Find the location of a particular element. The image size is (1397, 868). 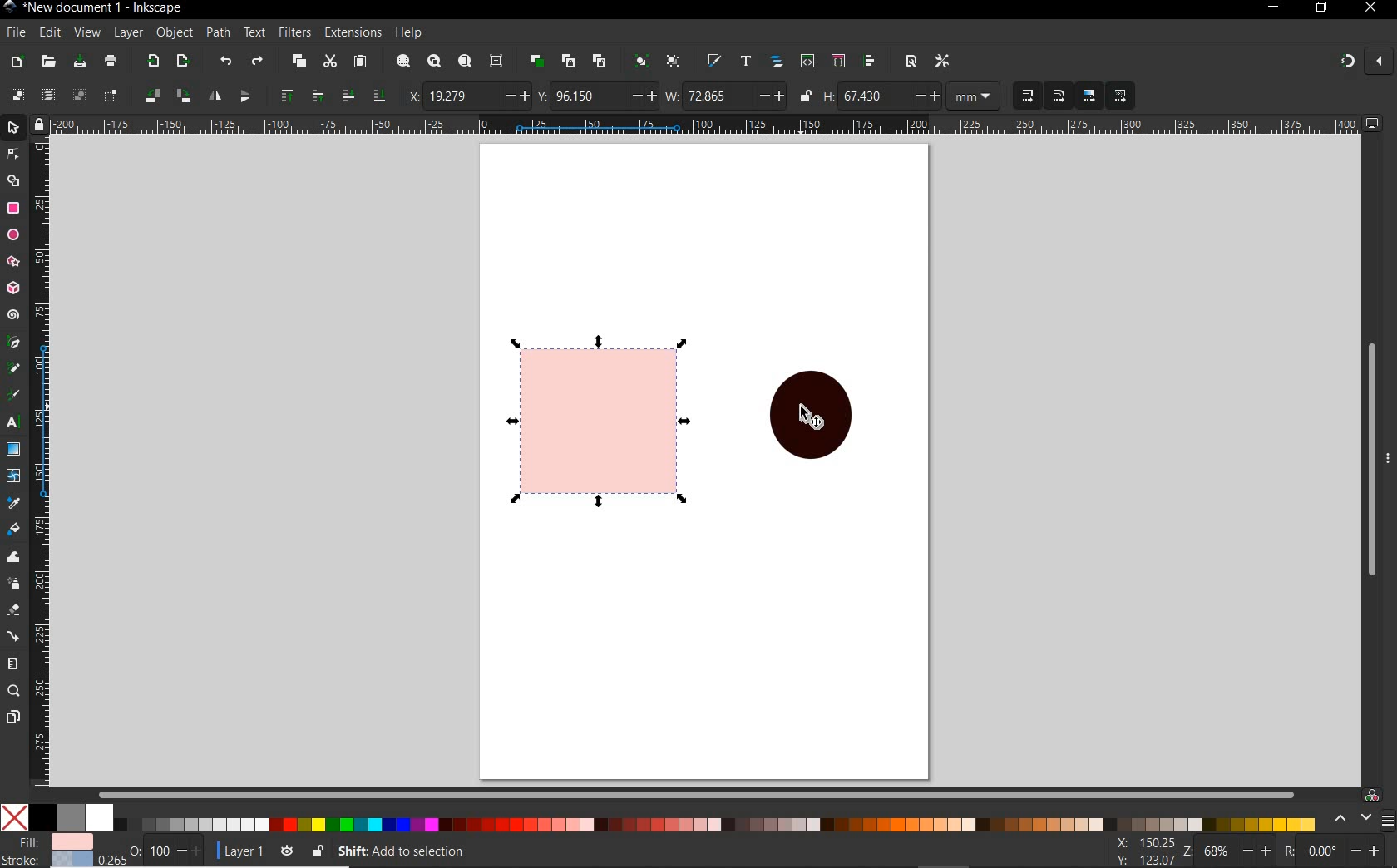

lock or unlock width and height is located at coordinates (807, 95).